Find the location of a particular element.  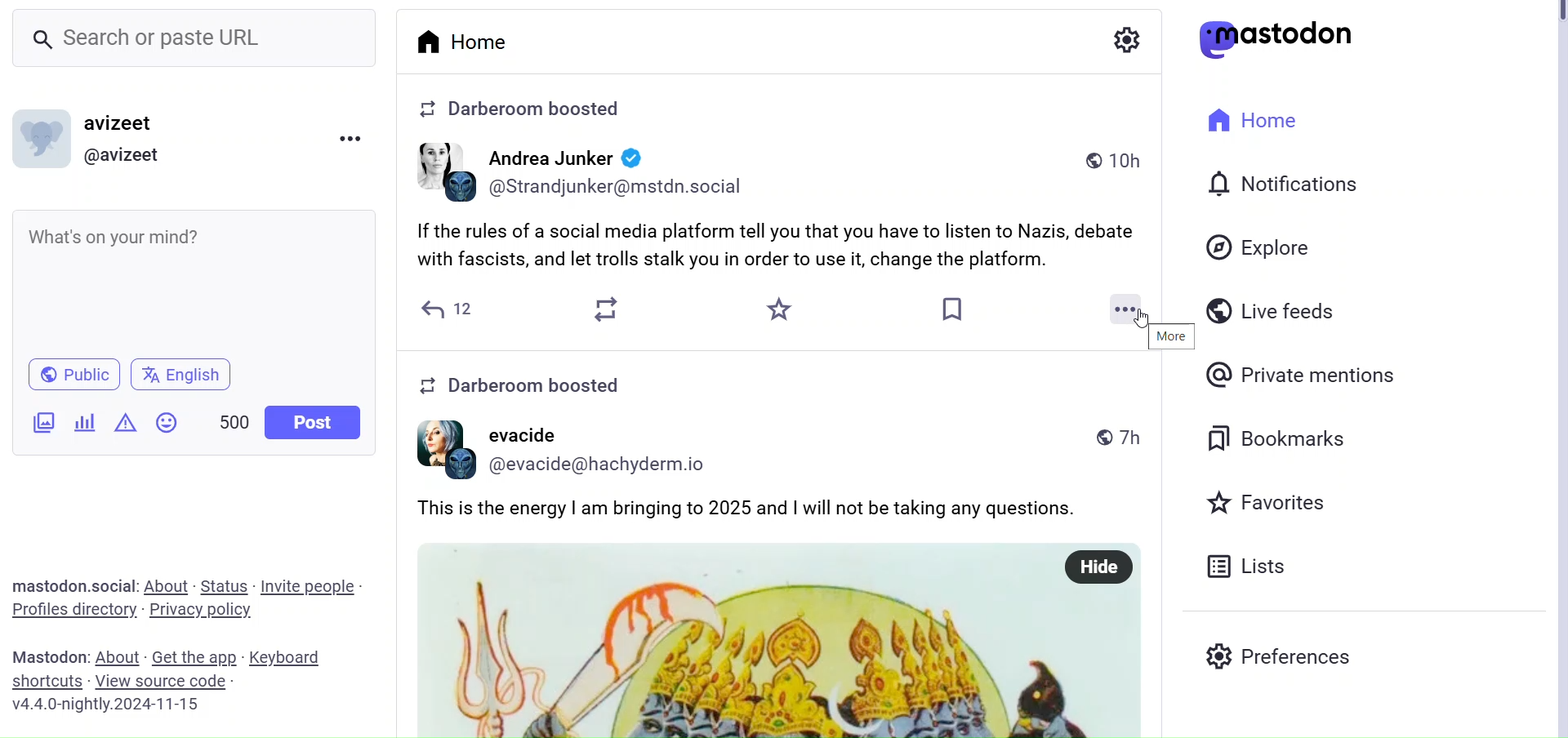

Ad Image is located at coordinates (44, 424).